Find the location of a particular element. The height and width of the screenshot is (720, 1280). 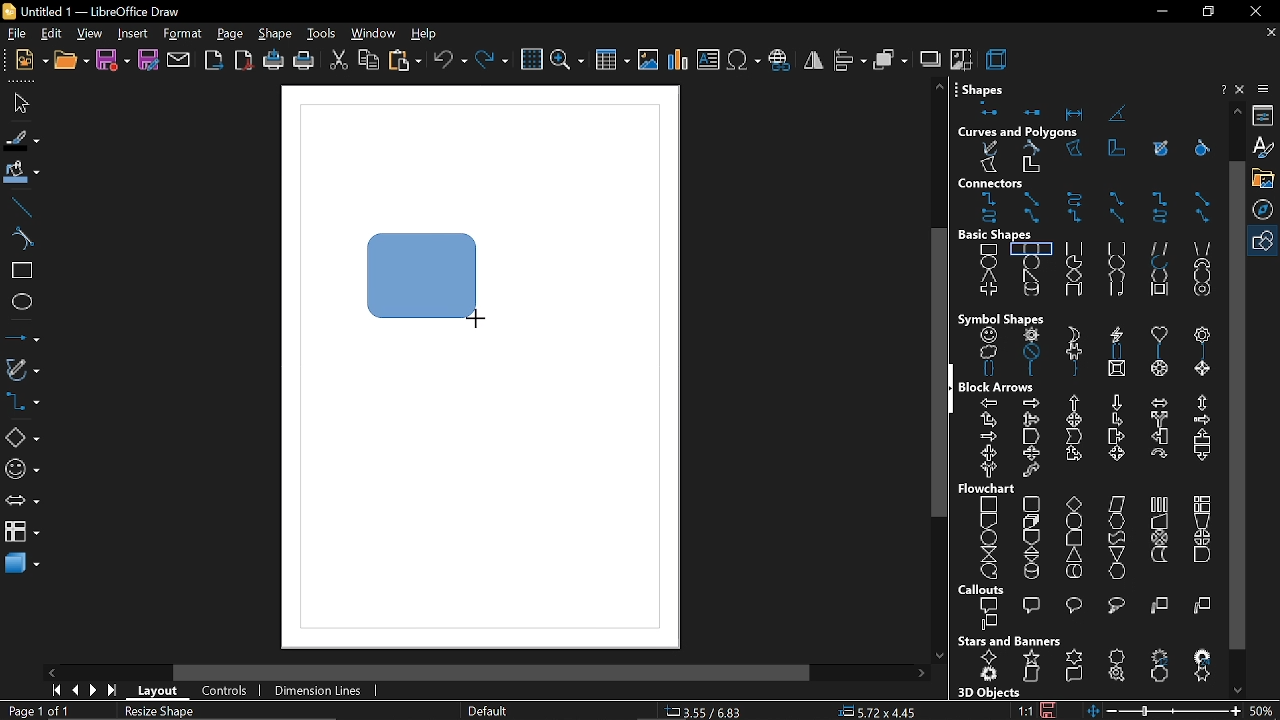

3D objects is located at coordinates (987, 693).